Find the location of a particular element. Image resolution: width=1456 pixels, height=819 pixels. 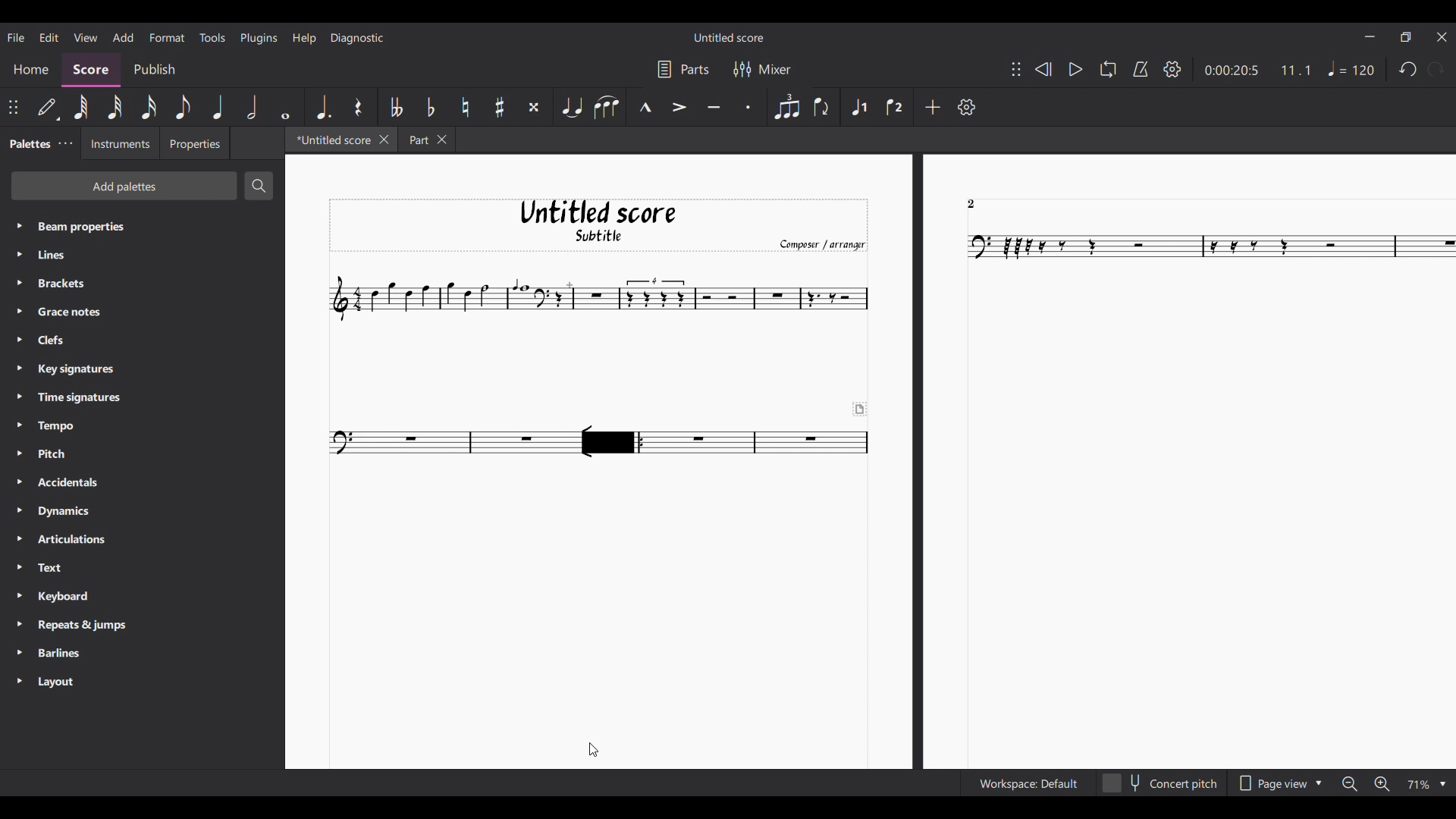

32nd note is located at coordinates (115, 108).